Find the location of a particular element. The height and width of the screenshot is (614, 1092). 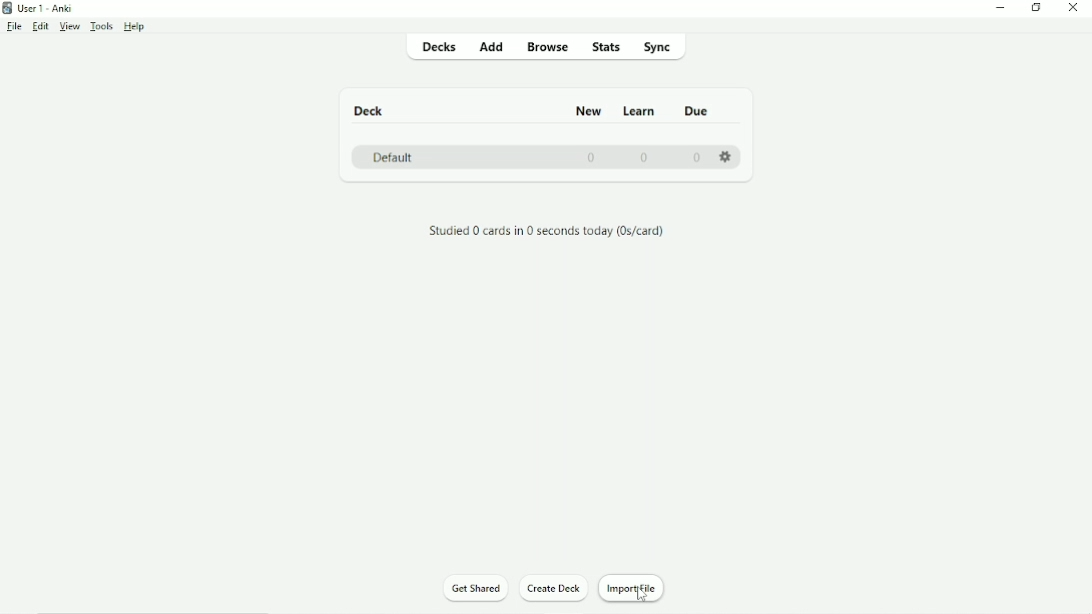

Stats is located at coordinates (607, 46).